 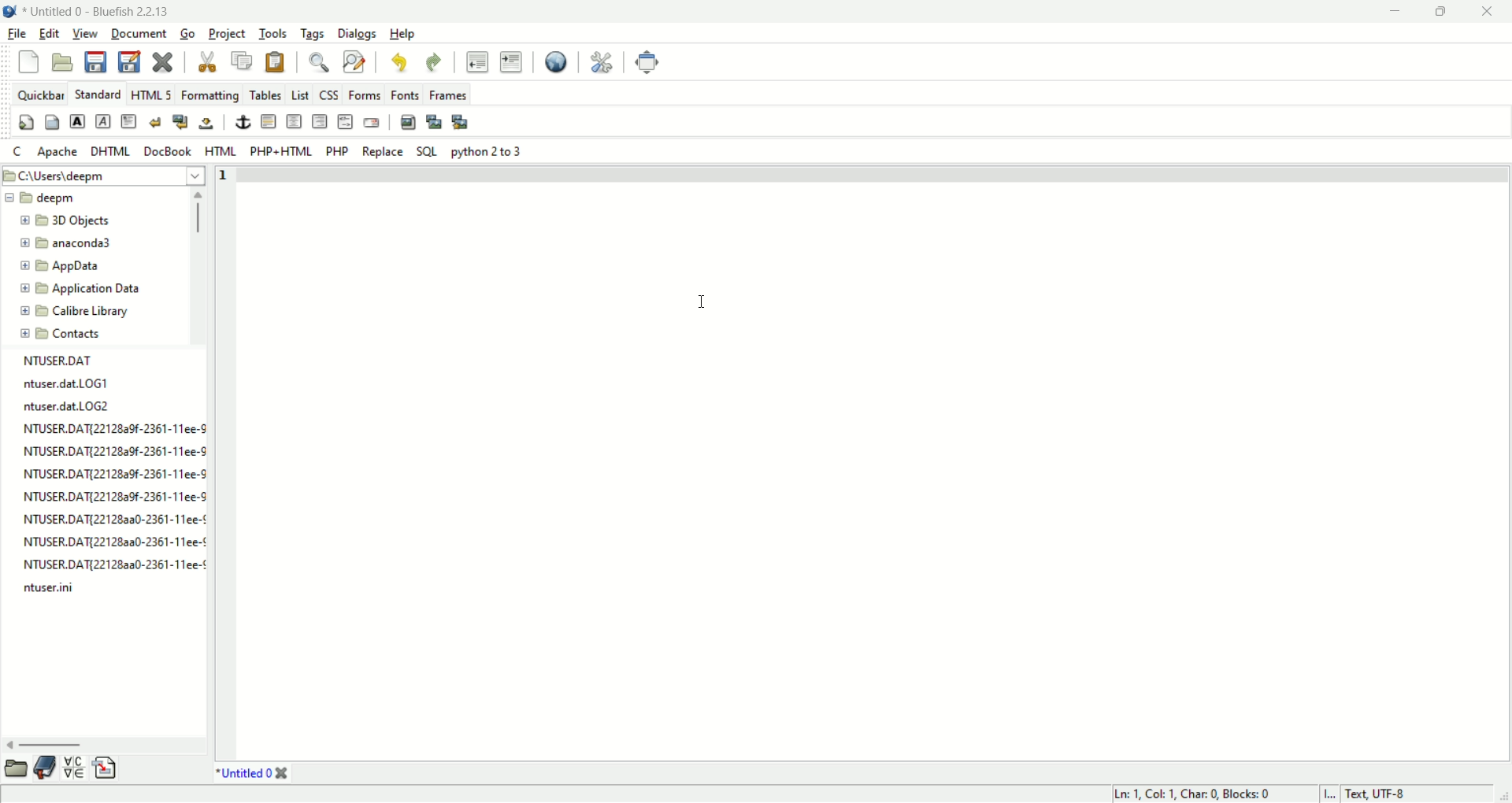 What do you see at coordinates (1392, 13) in the screenshot?
I see `minimize` at bounding box center [1392, 13].